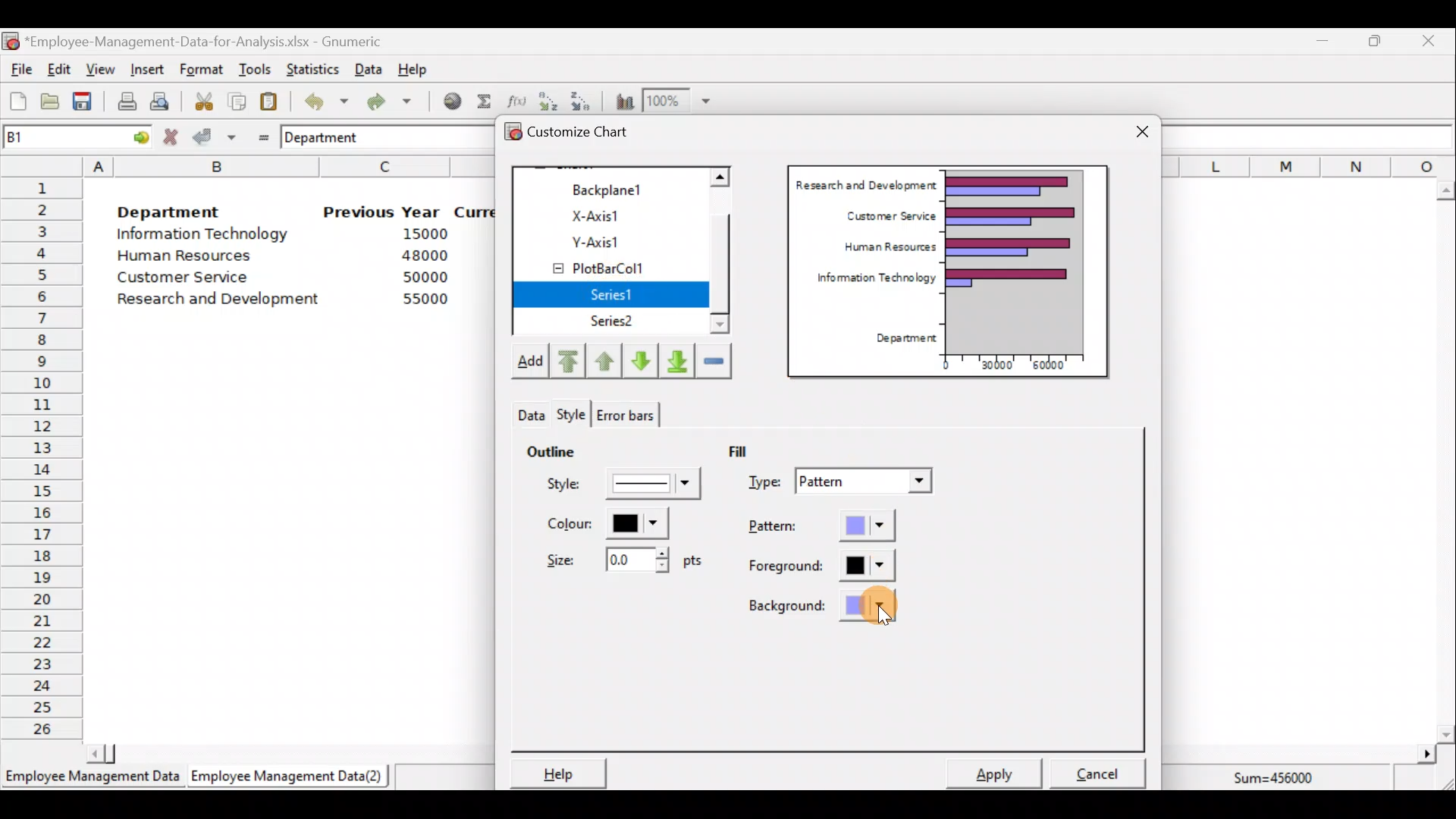 Image resolution: width=1456 pixels, height=819 pixels. I want to click on Sort in Ascending order, so click(548, 101).